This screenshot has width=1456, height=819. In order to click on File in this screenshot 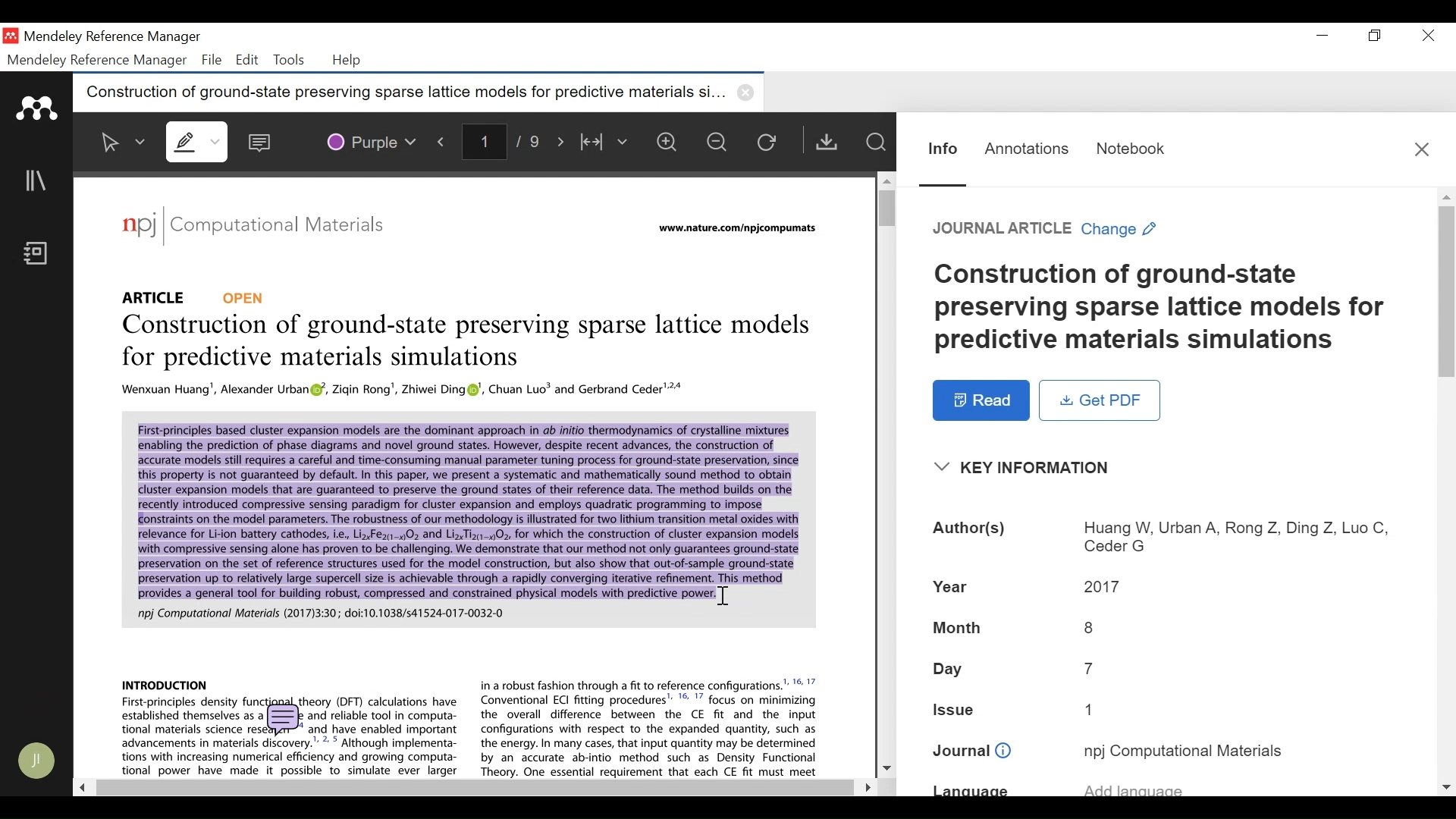, I will do `click(212, 60)`.